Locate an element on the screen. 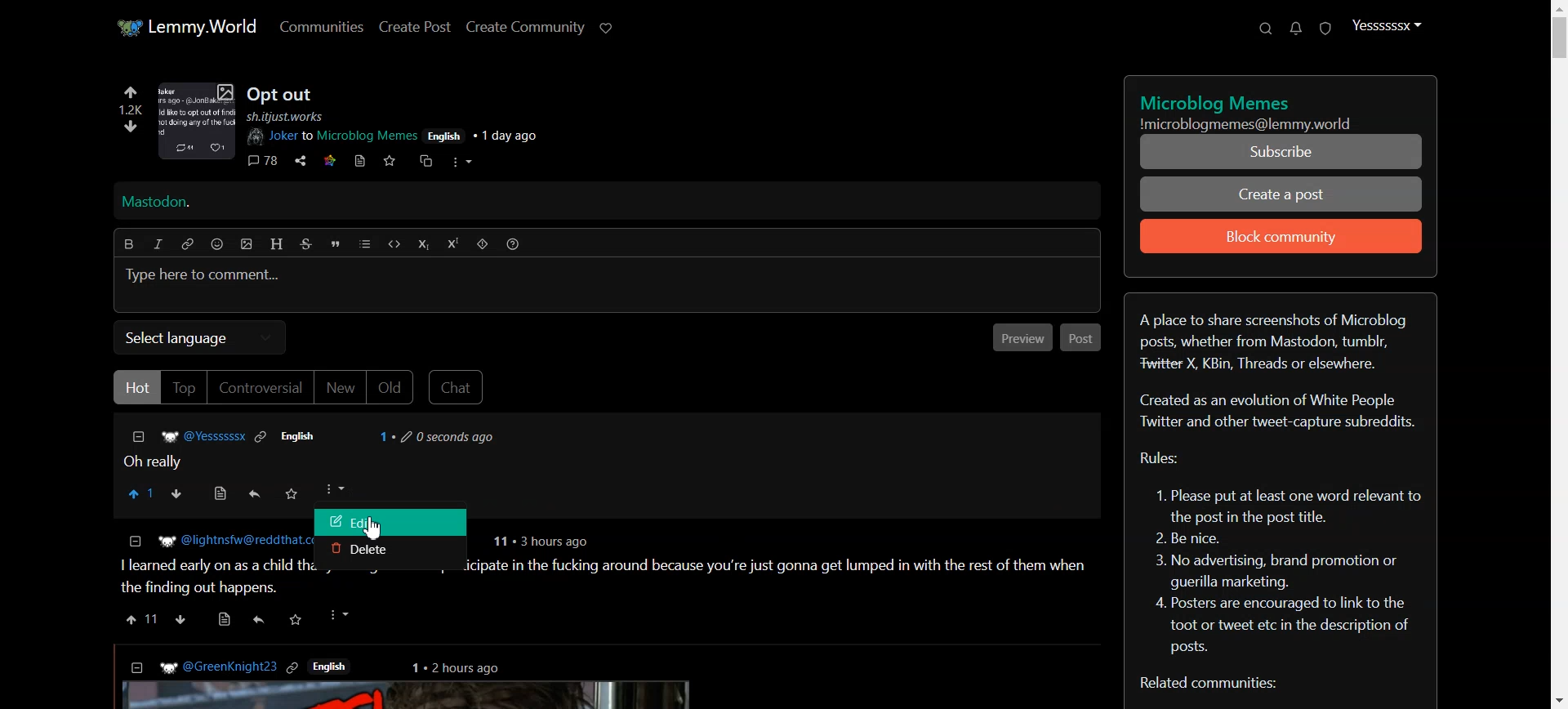 The width and height of the screenshot is (1568, 709). book mark is located at coordinates (359, 161).